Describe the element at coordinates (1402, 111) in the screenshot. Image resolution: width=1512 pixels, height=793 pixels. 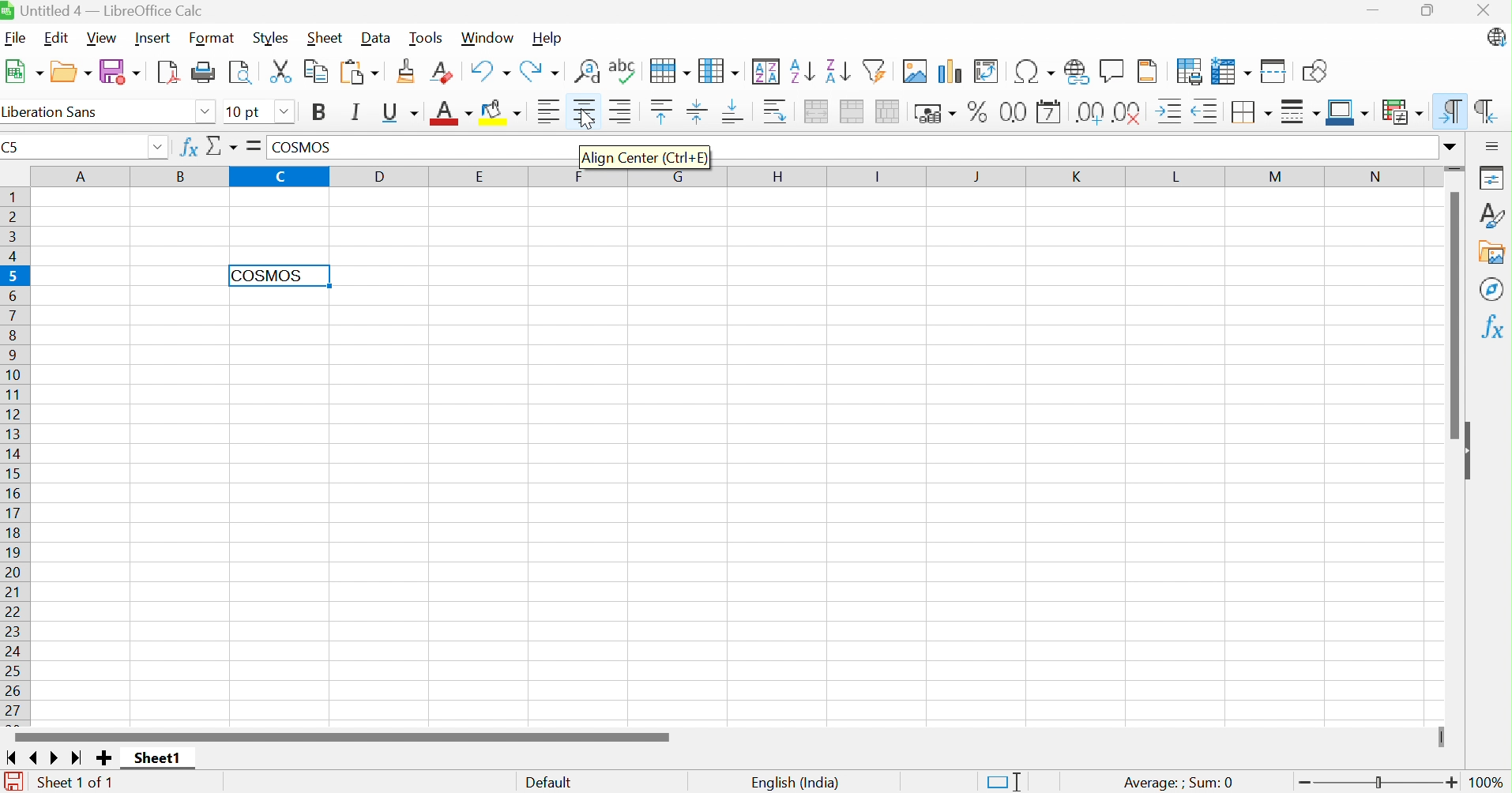
I see `Conditional` at that location.